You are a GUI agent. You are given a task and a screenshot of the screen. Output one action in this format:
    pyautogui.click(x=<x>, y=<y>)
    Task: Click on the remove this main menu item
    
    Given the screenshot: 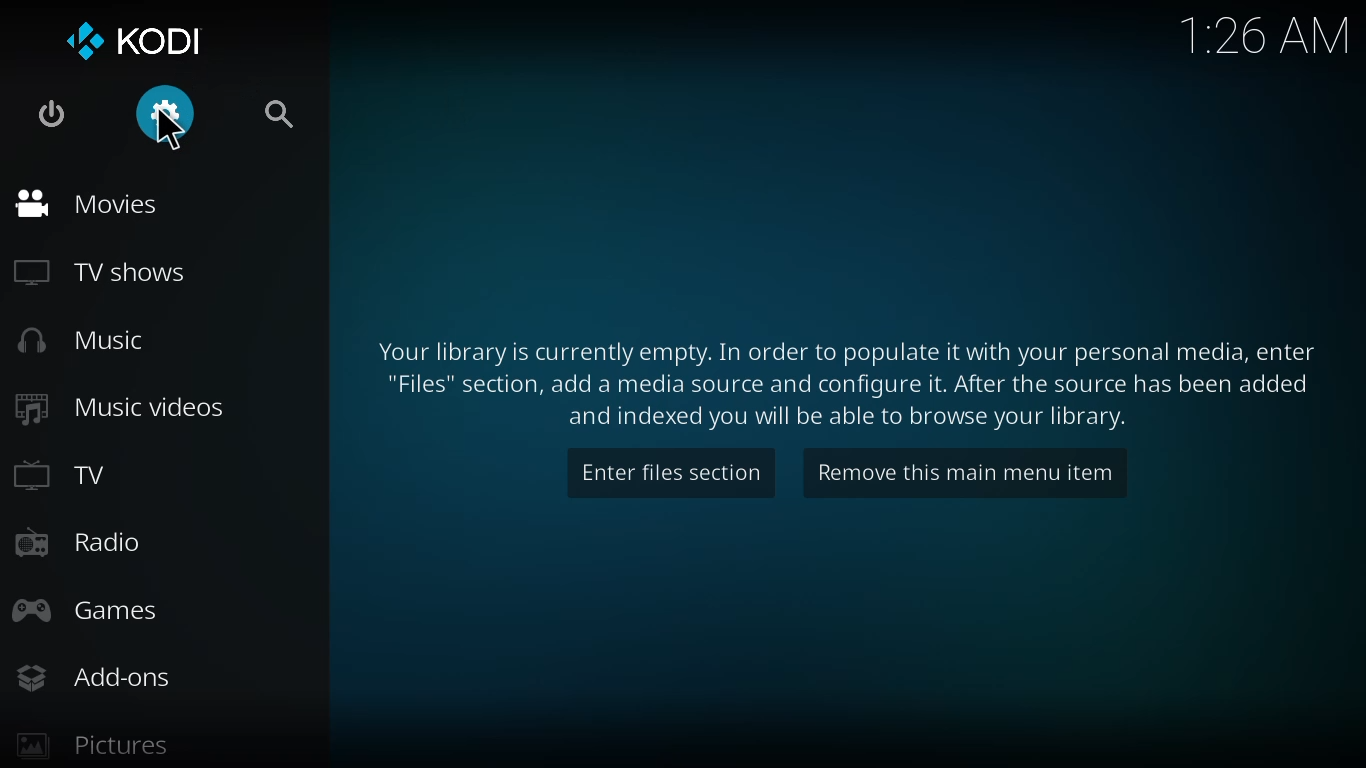 What is the action you would take?
    pyautogui.click(x=958, y=472)
    